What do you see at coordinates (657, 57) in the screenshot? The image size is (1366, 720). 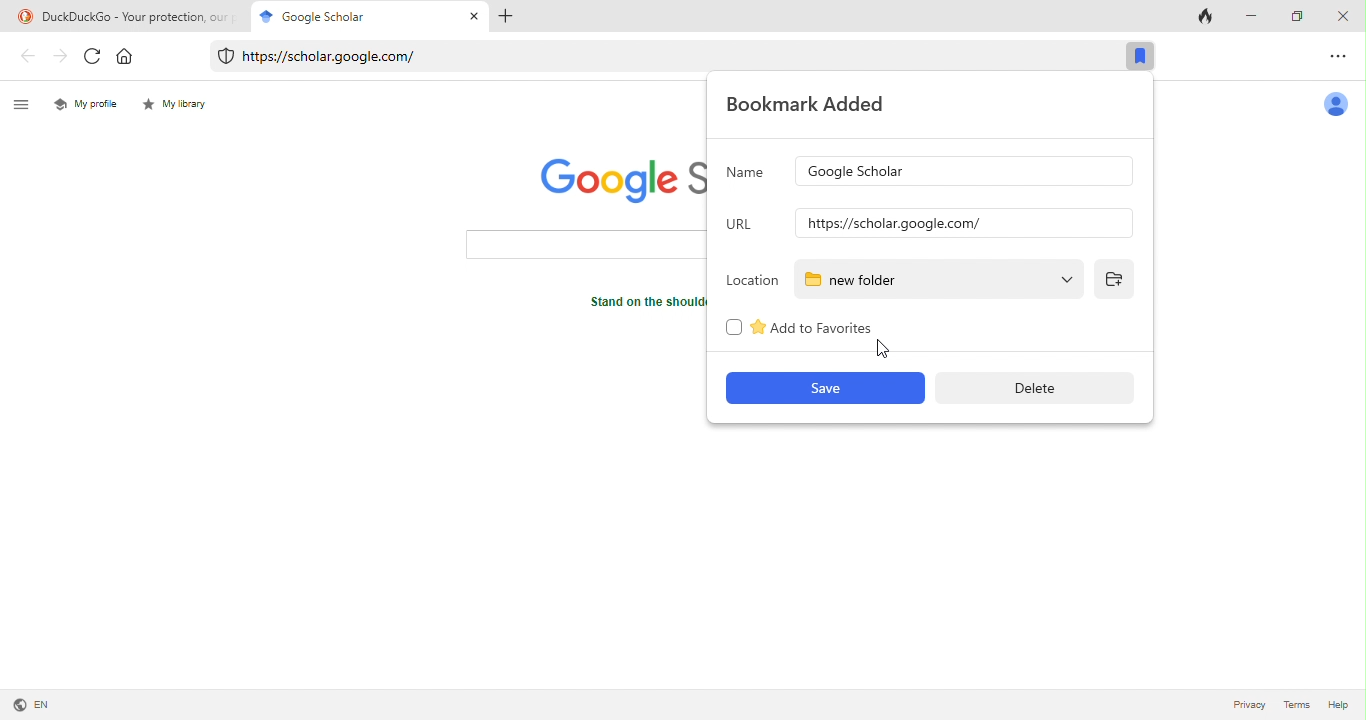 I see `web link` at bounding box center [657, 57].